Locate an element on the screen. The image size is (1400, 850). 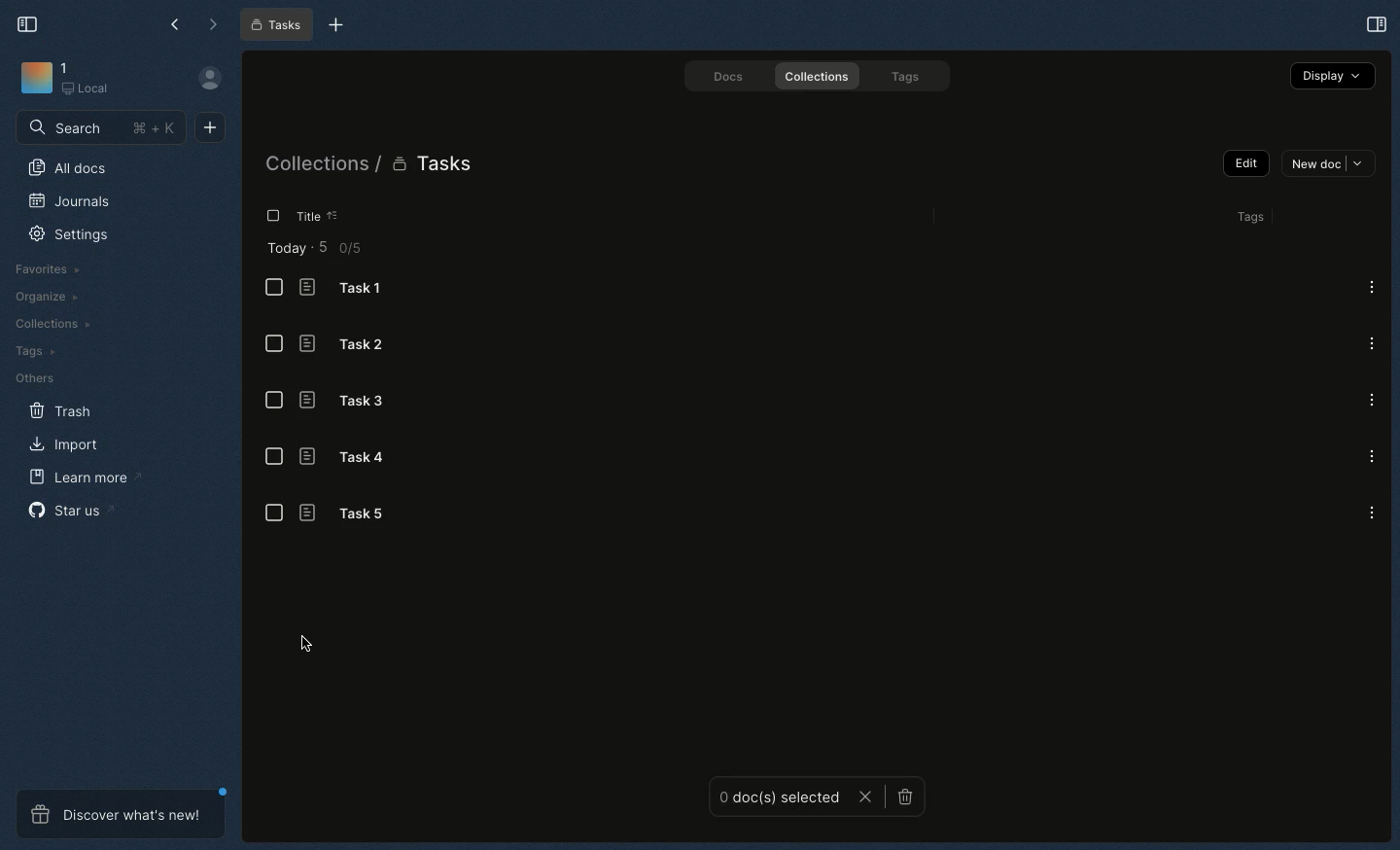
Tags is located at coordinates (30, 350).